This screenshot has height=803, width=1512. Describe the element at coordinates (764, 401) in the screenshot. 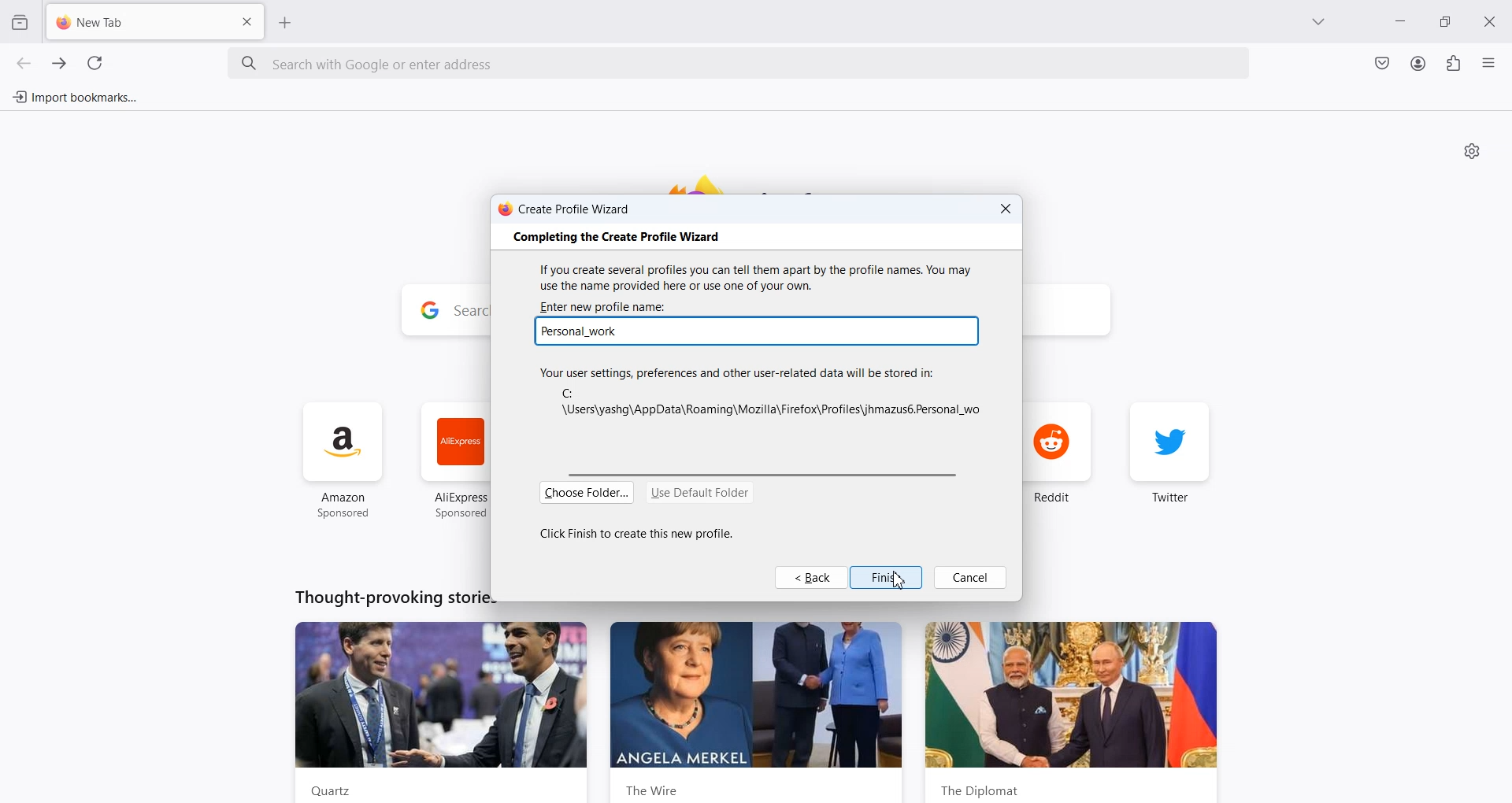

I see `C:\Users\yashg\AppData\Roaming\Mozilla\Firefox\Profiles\jhmazus6.Default
User` at that location.